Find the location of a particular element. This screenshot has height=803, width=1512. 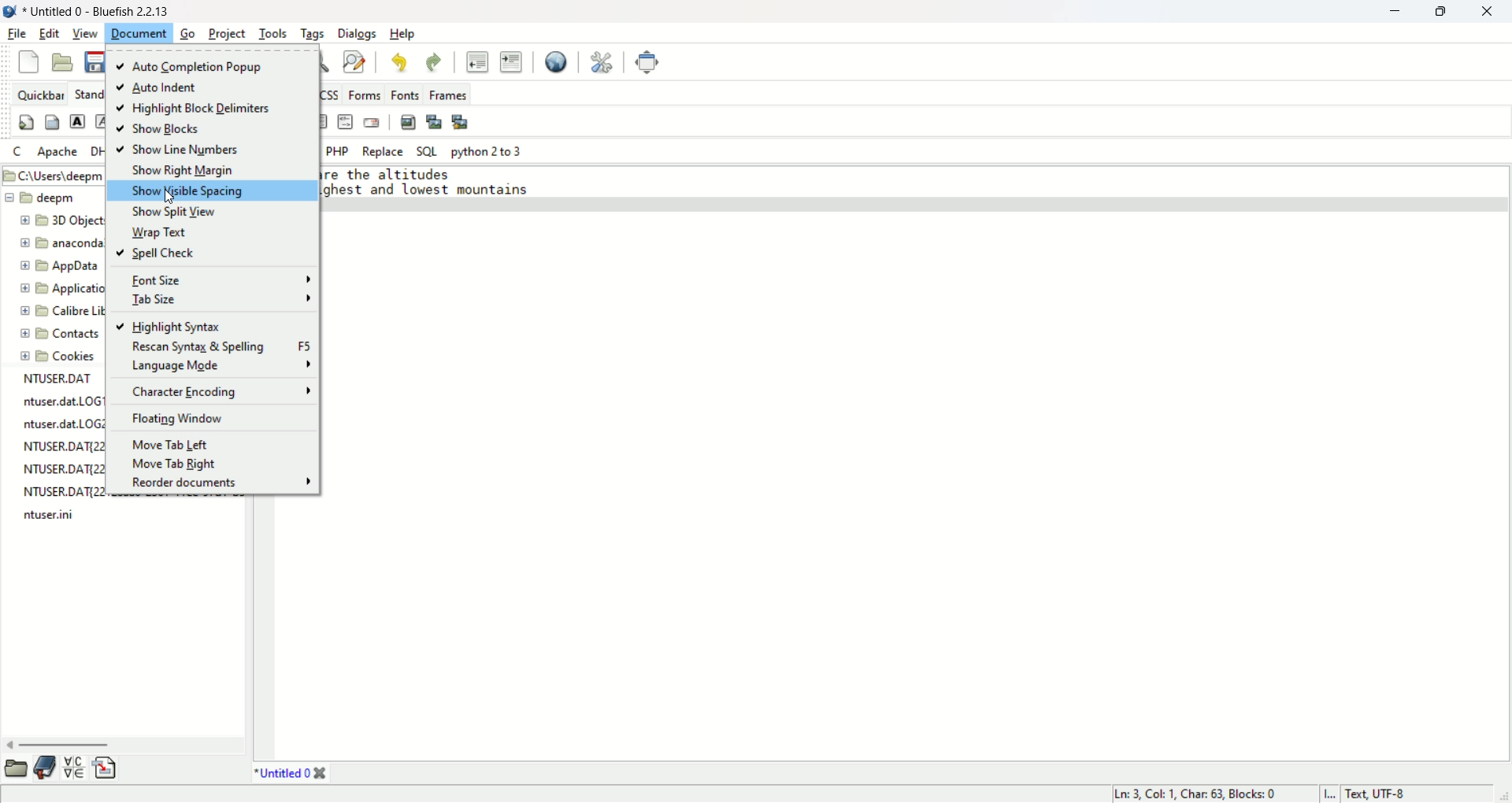

edit preferences is located at coordinates (599, 61).